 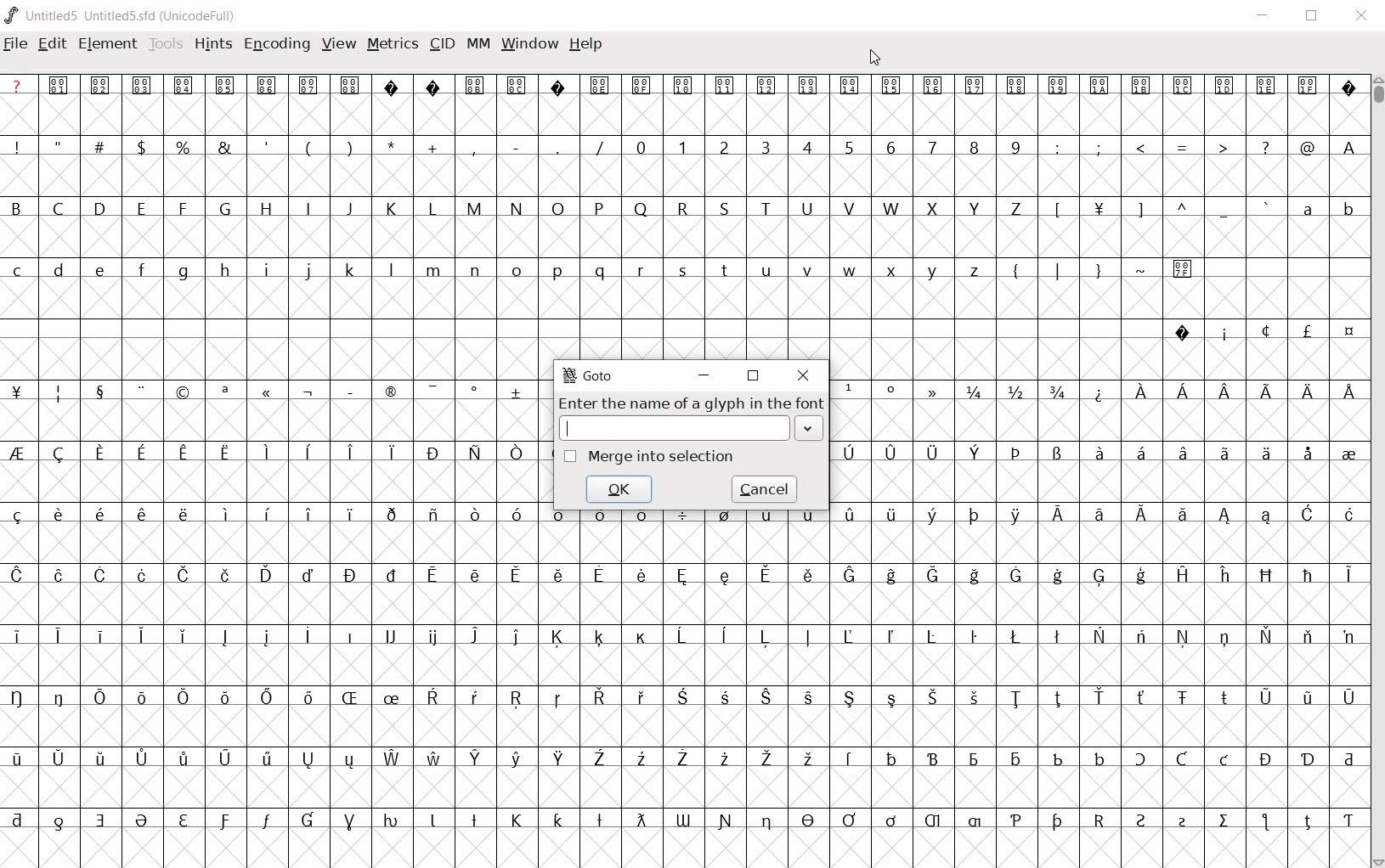 What do you see at coordinates (1097, 268) in the screenshot?
I see `}` at bounding box center [1097, 268].